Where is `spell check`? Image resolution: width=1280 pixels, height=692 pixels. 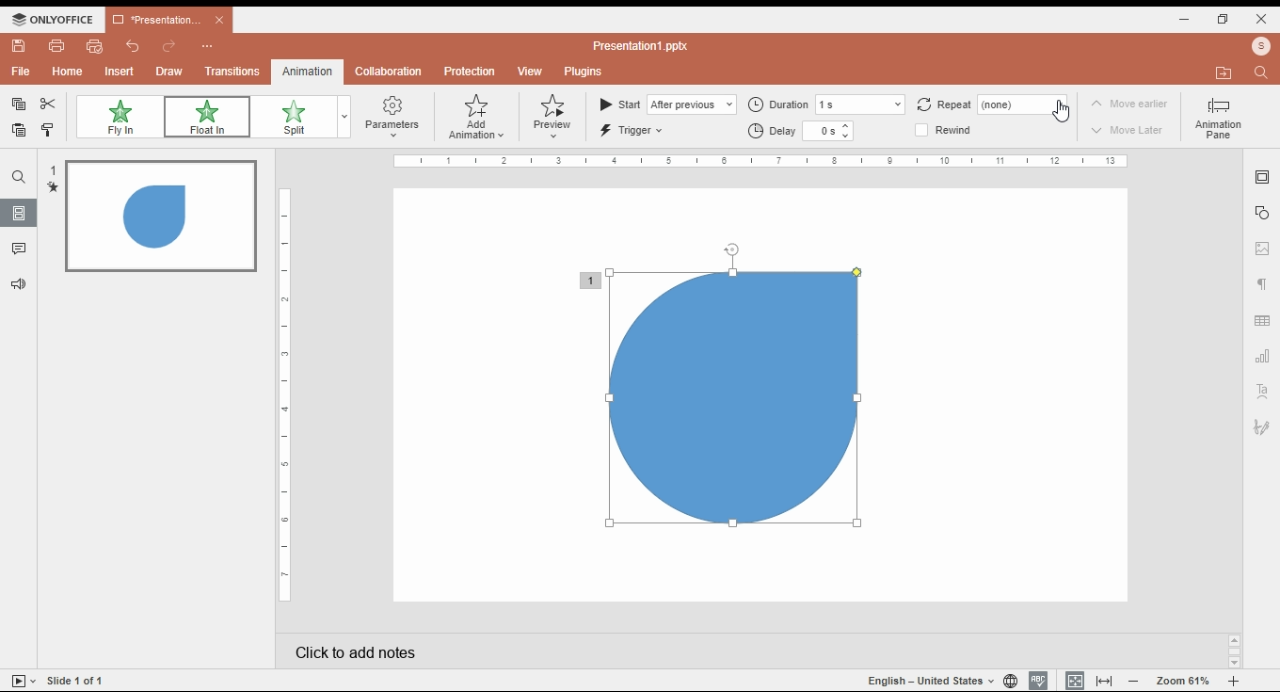
spell check is located at coordinates (1038, 681).